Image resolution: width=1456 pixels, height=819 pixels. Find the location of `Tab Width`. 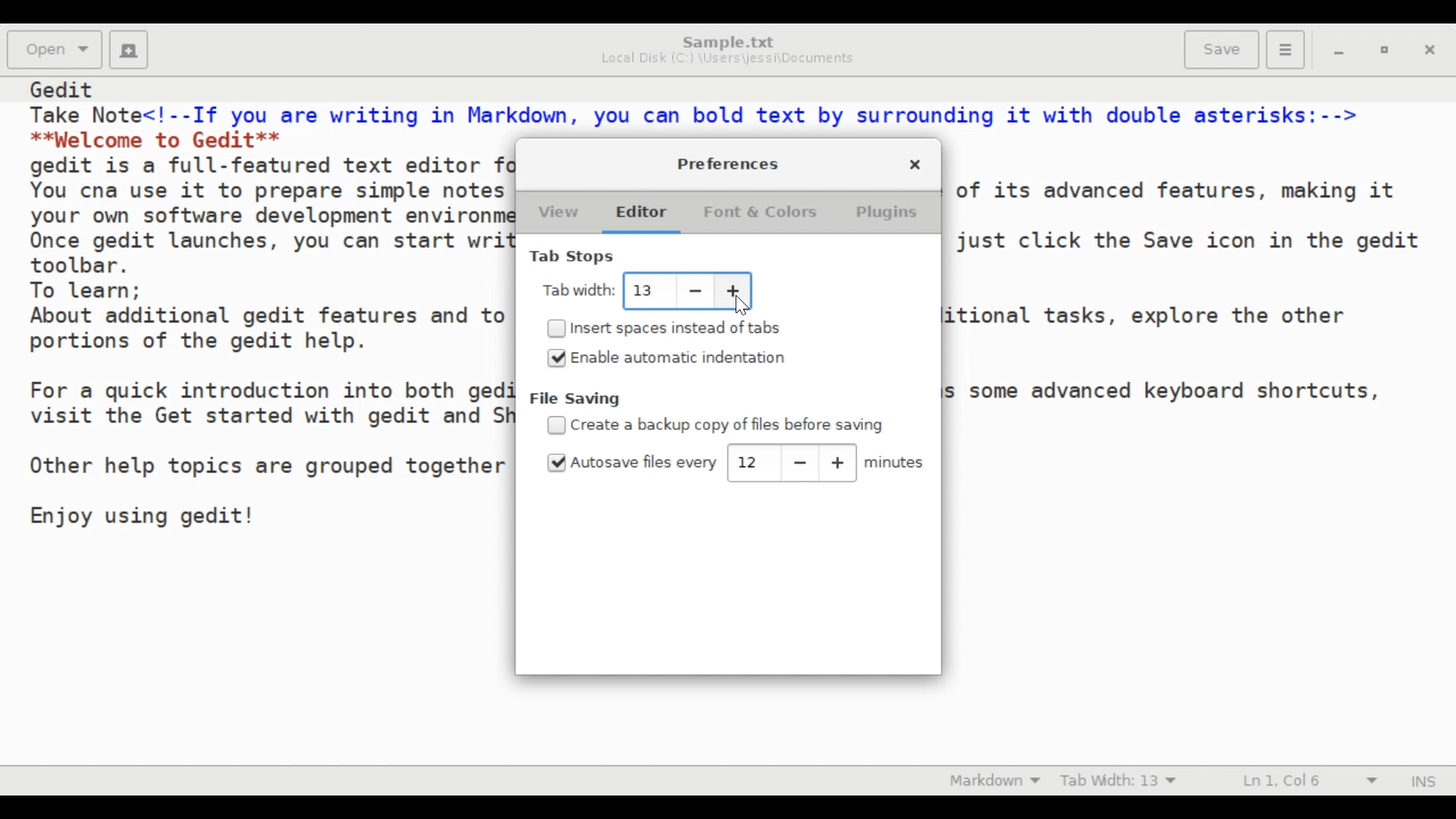

Tab Width is located at coordinates (576, 292).